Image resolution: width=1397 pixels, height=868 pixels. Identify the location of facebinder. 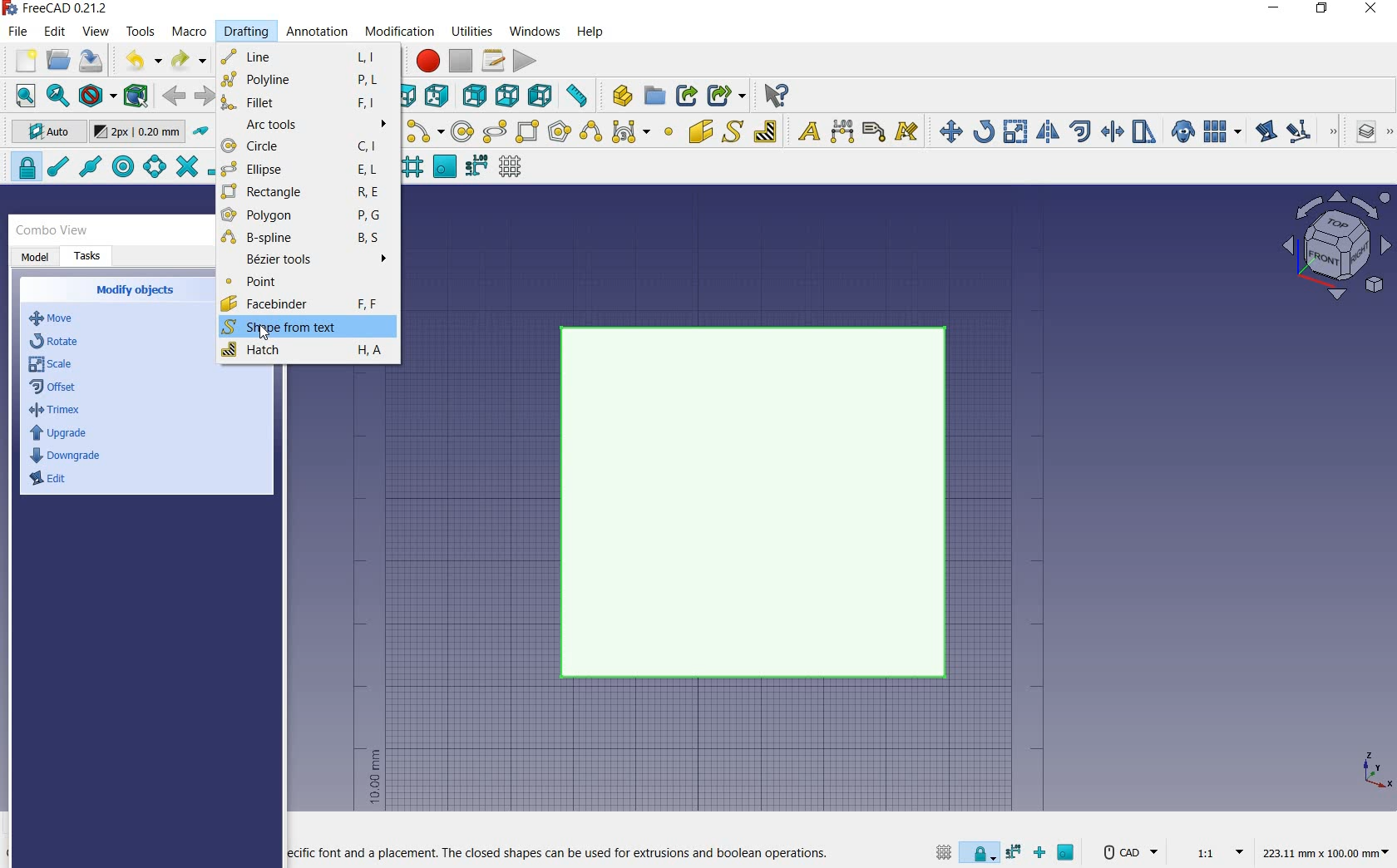
(300, 305).